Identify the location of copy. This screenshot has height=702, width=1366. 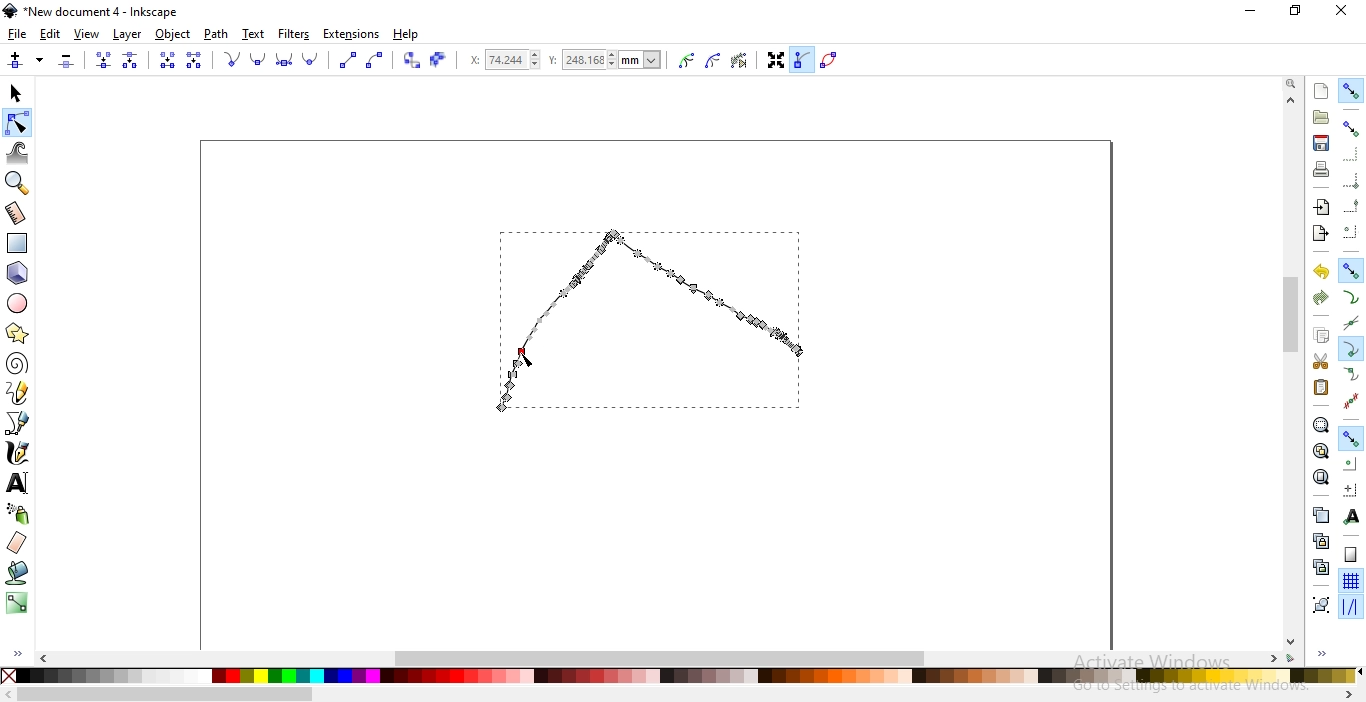
(1320, 333).